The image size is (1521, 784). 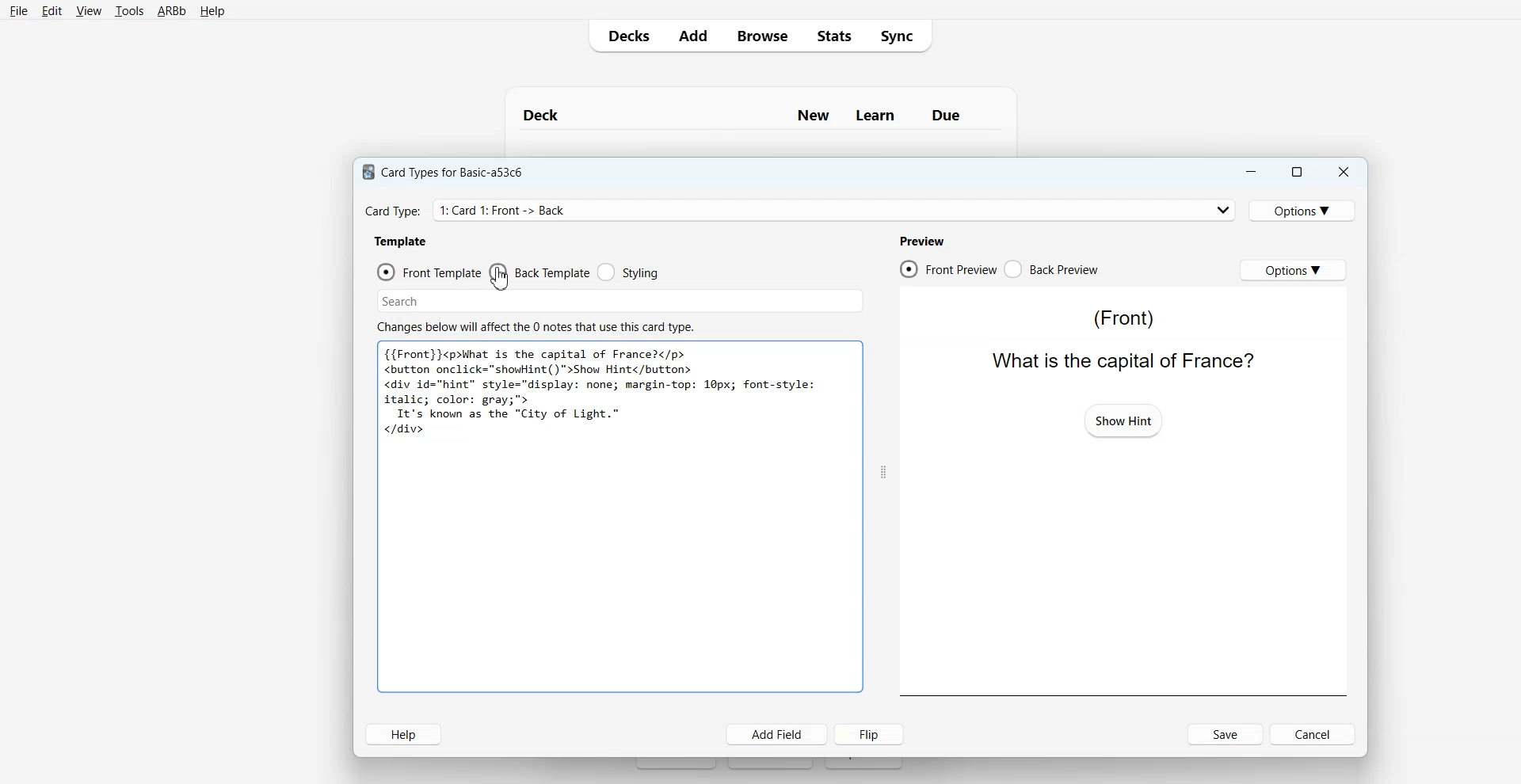 I want to click on Front Template, so click(x=429, y=272).